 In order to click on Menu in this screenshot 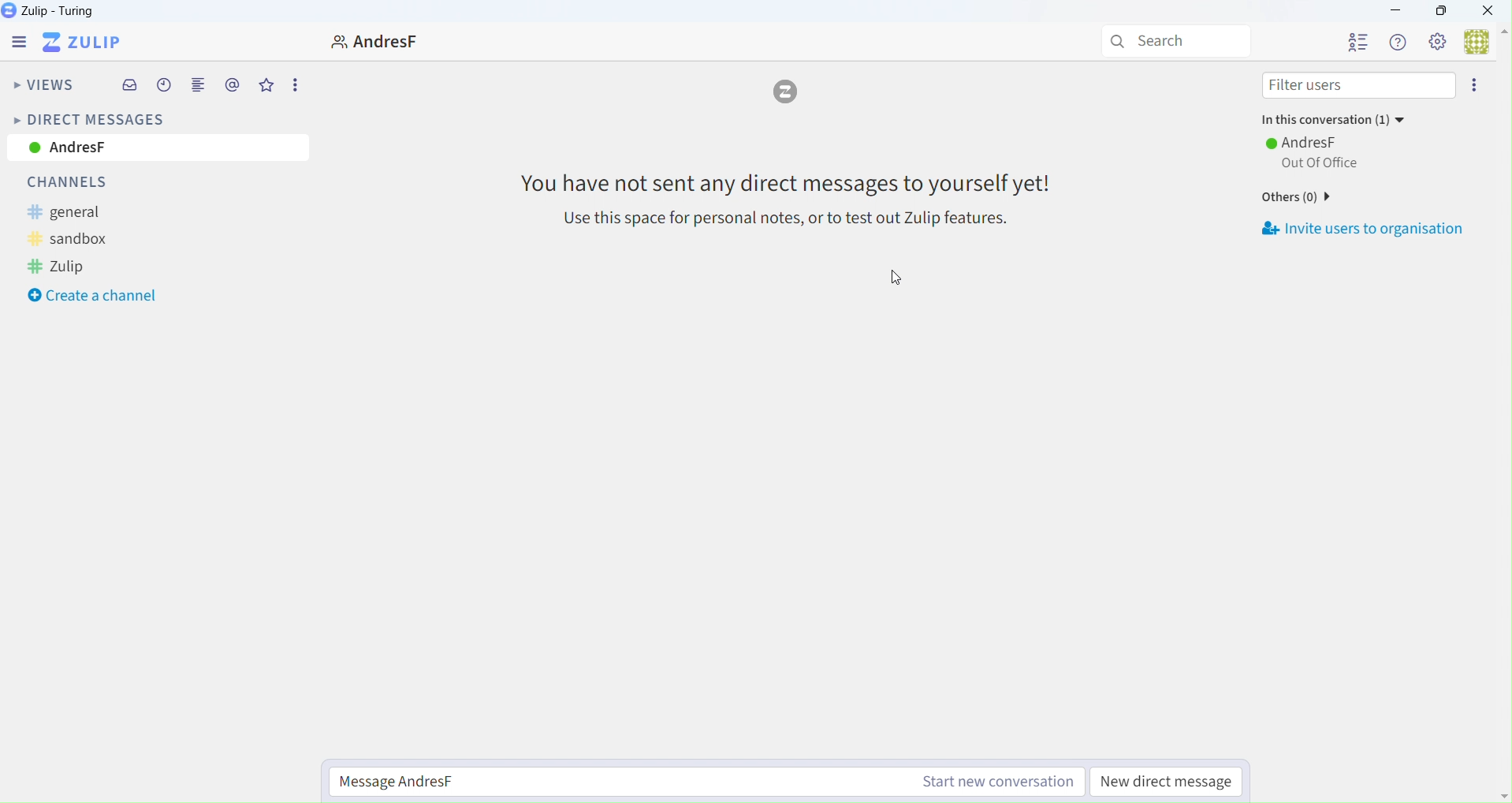, I will do `click(15, 42)`.